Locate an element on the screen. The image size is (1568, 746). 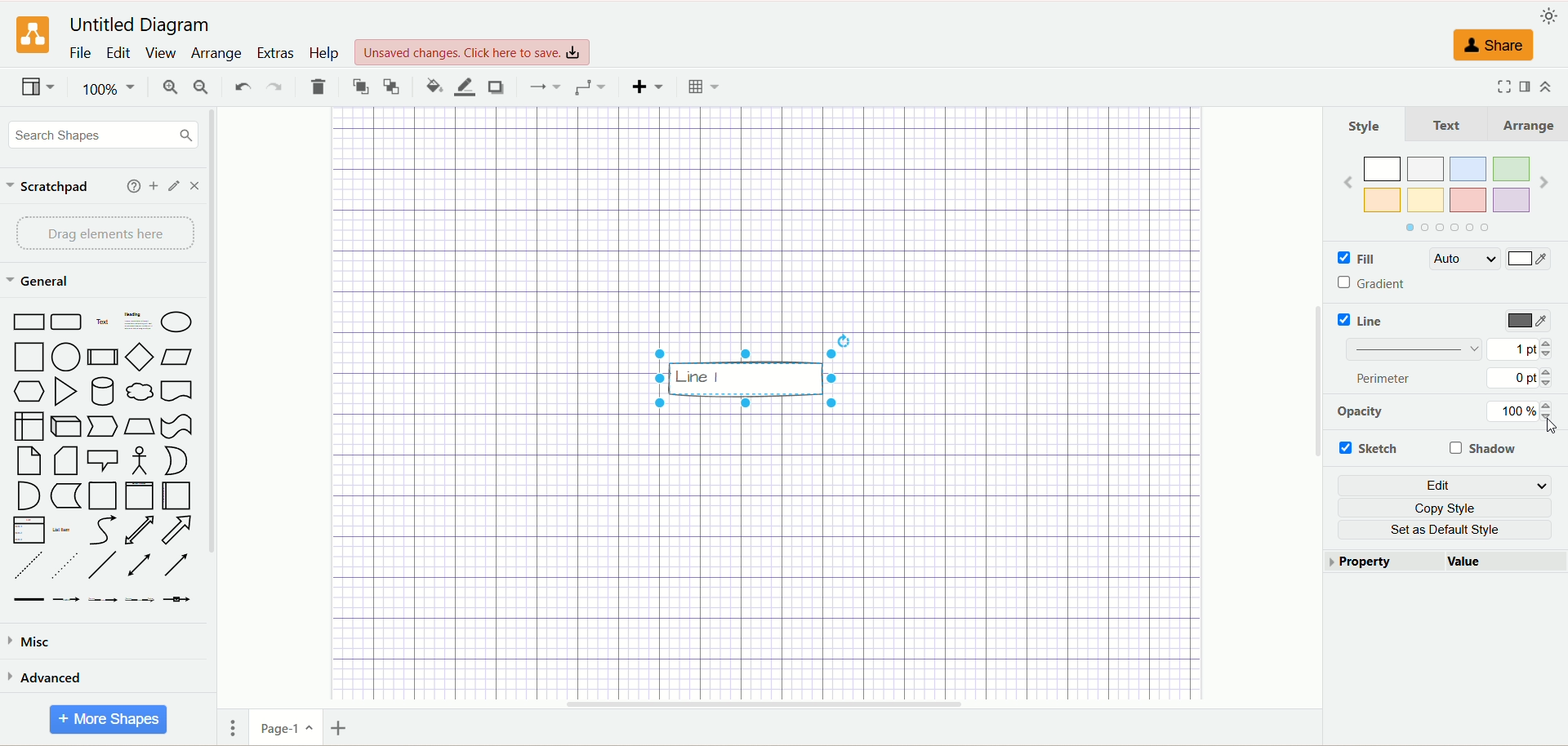
Ellipse is located at coordinates (175, 319).